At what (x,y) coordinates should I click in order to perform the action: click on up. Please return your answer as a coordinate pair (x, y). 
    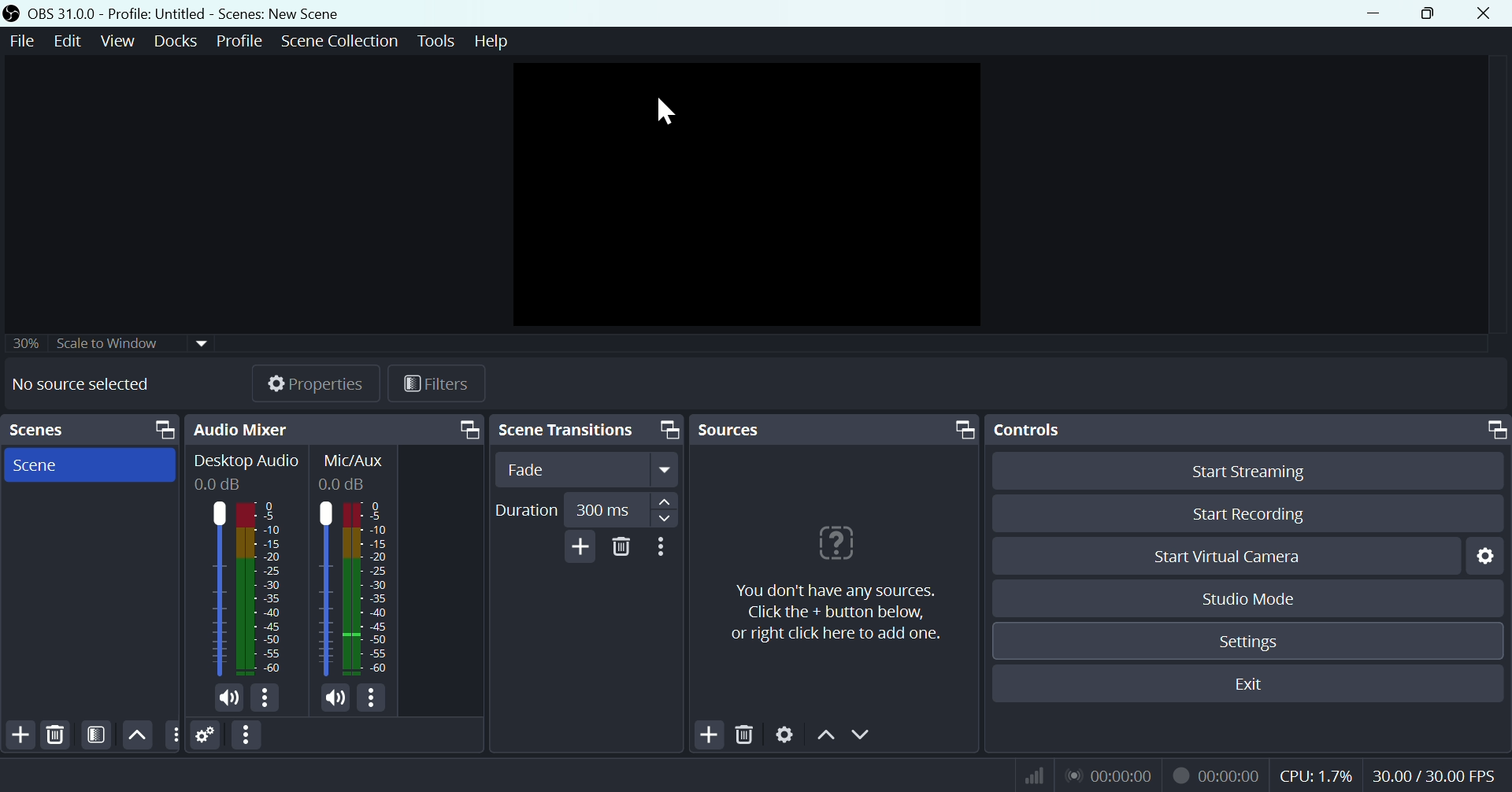
    Looking at the image, I should click on (138, 734).